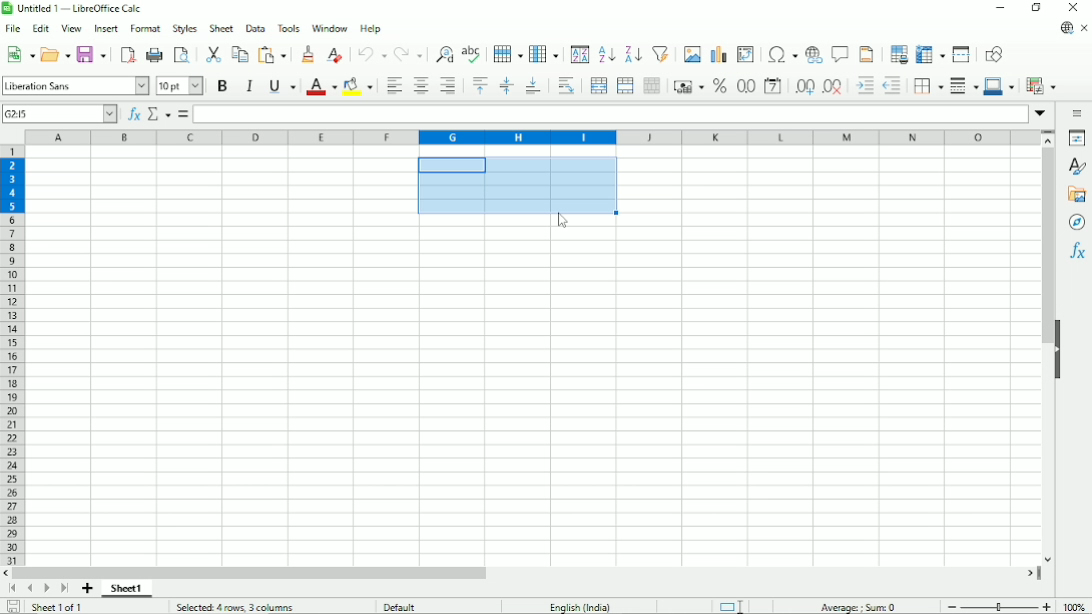 The image size is (1092, 614). What do you see at coordinates (533, 86) in the screenshot?
I see `Align bottom` at bounding box center [533, 86].